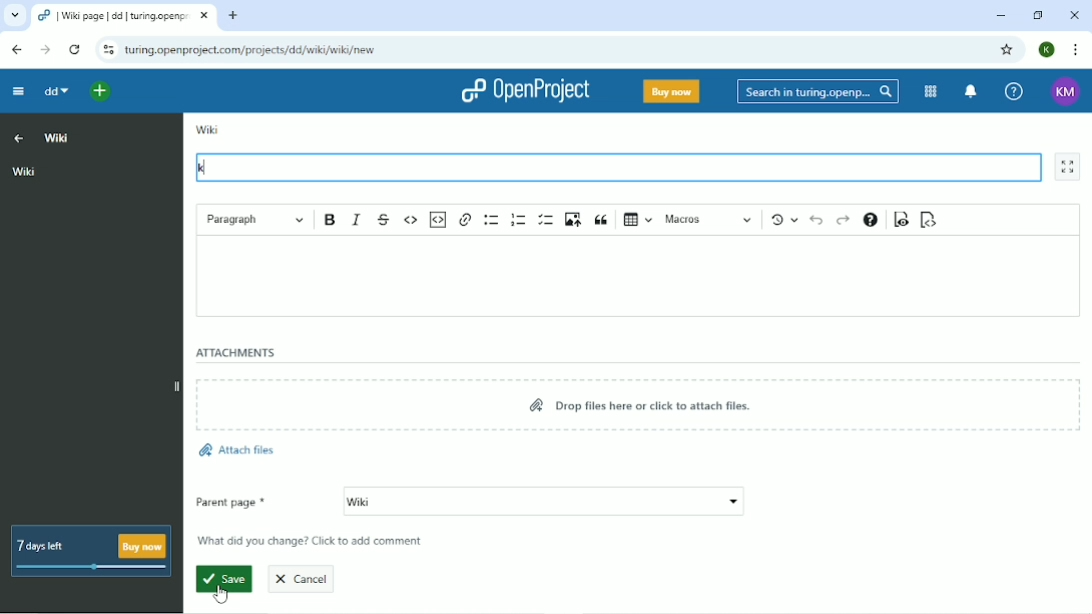  What do you see at coordinates (525, 90) in the screenshot?
I see `OpenProject` at bounding box center [525, 90].